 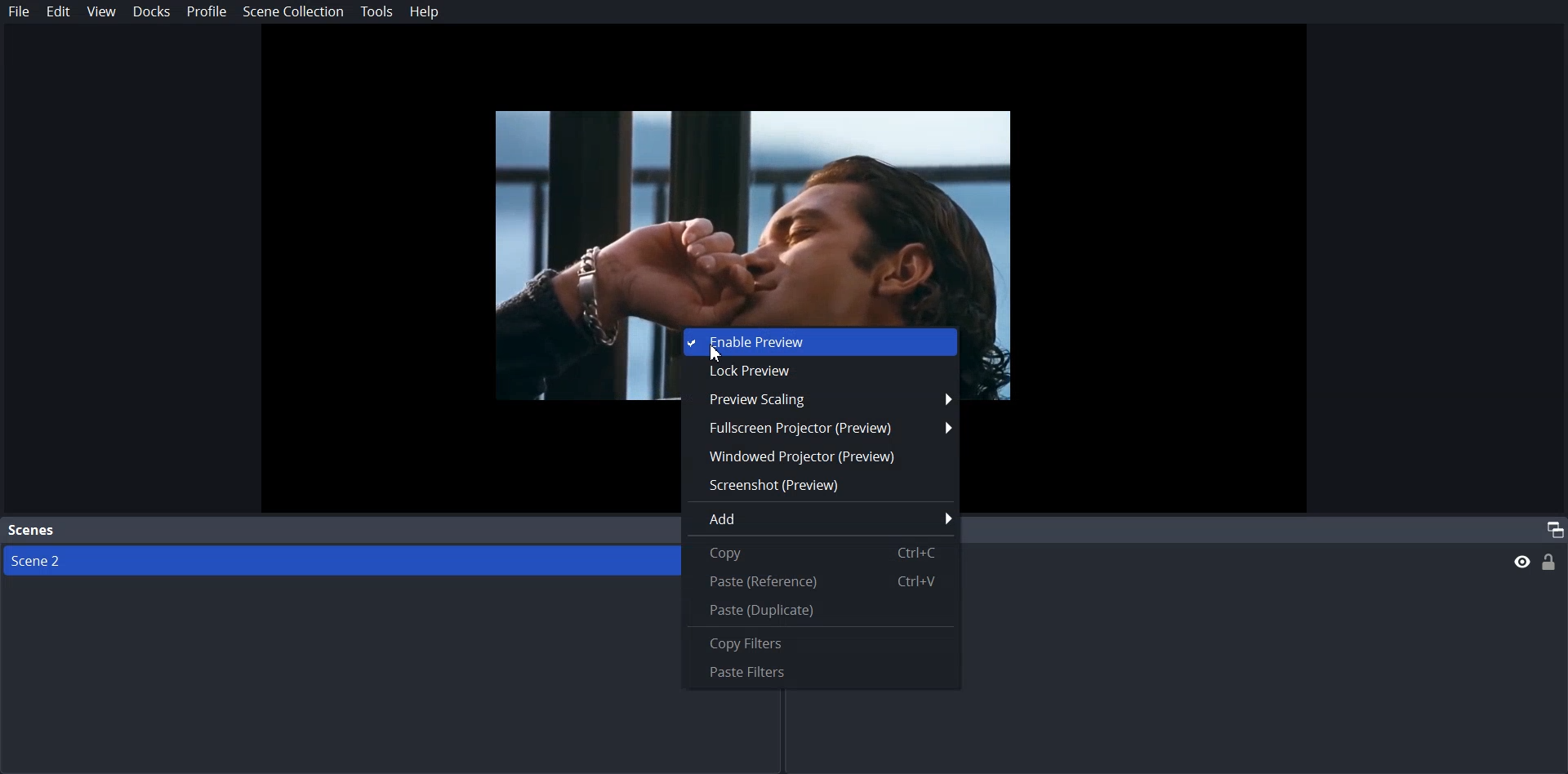 What do you see at coordinates (41, 561) in the screenshot?
I see `scene2` at bounding box center [41, 561].